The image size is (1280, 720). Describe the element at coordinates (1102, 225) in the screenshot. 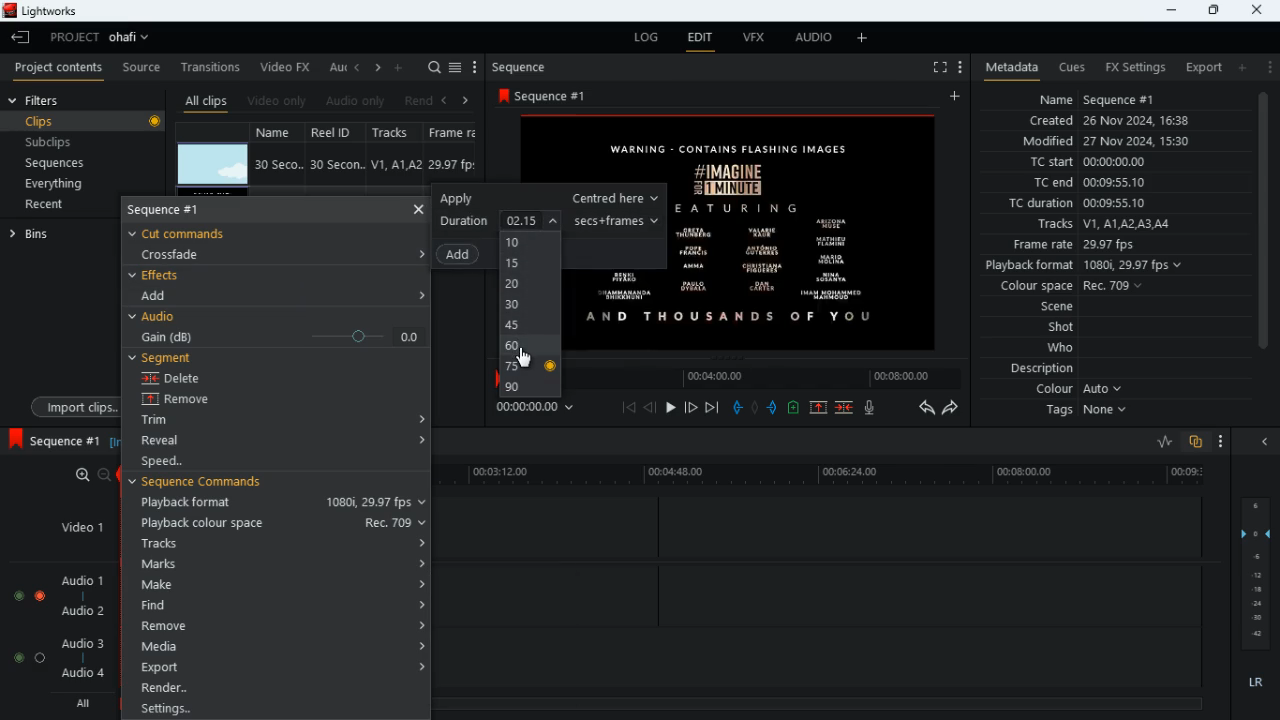

I see `tracks` at that location.